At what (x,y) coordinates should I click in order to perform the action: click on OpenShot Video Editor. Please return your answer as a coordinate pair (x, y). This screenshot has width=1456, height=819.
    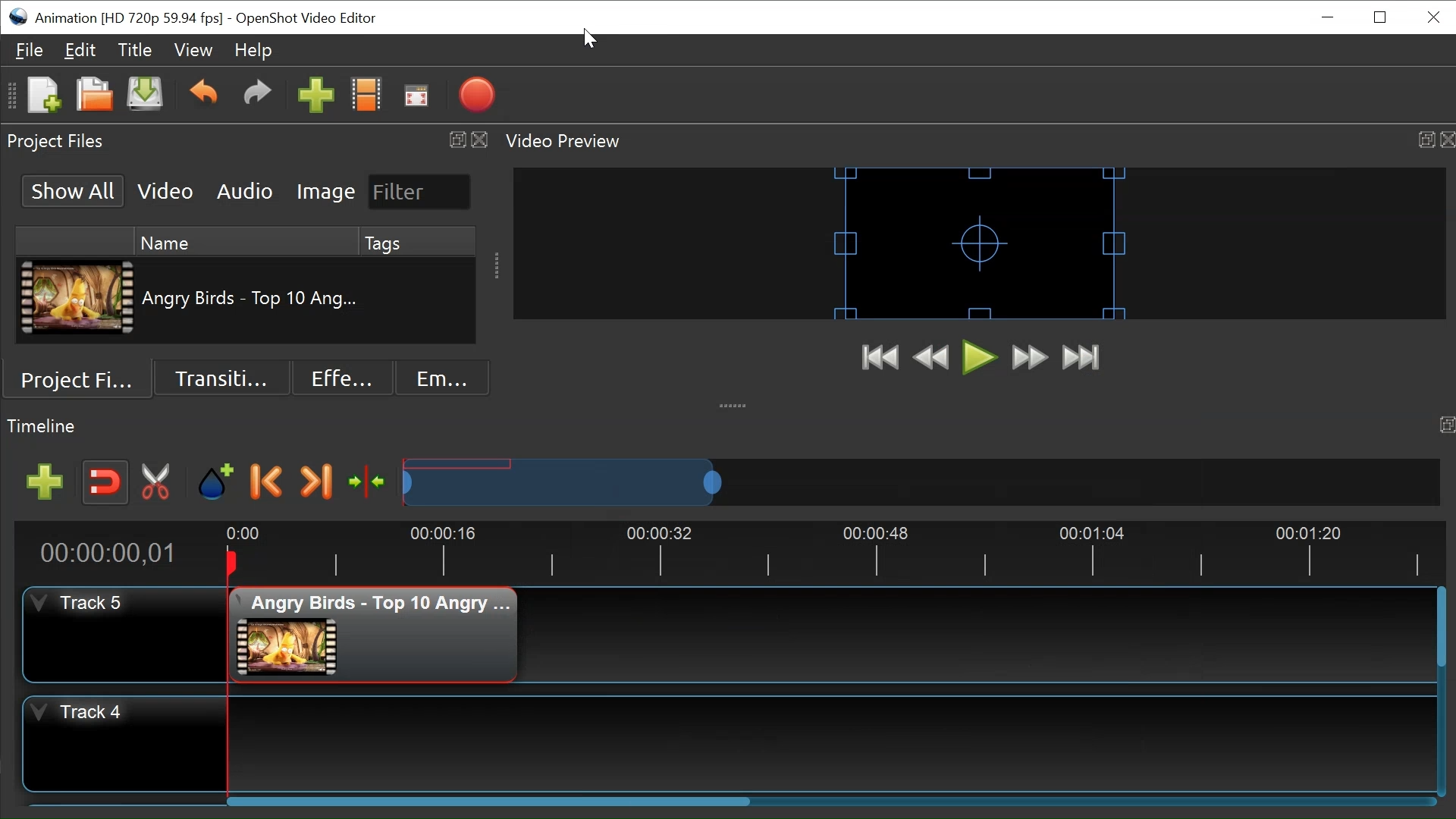
    Looking at the image, I should click on (312, 19).